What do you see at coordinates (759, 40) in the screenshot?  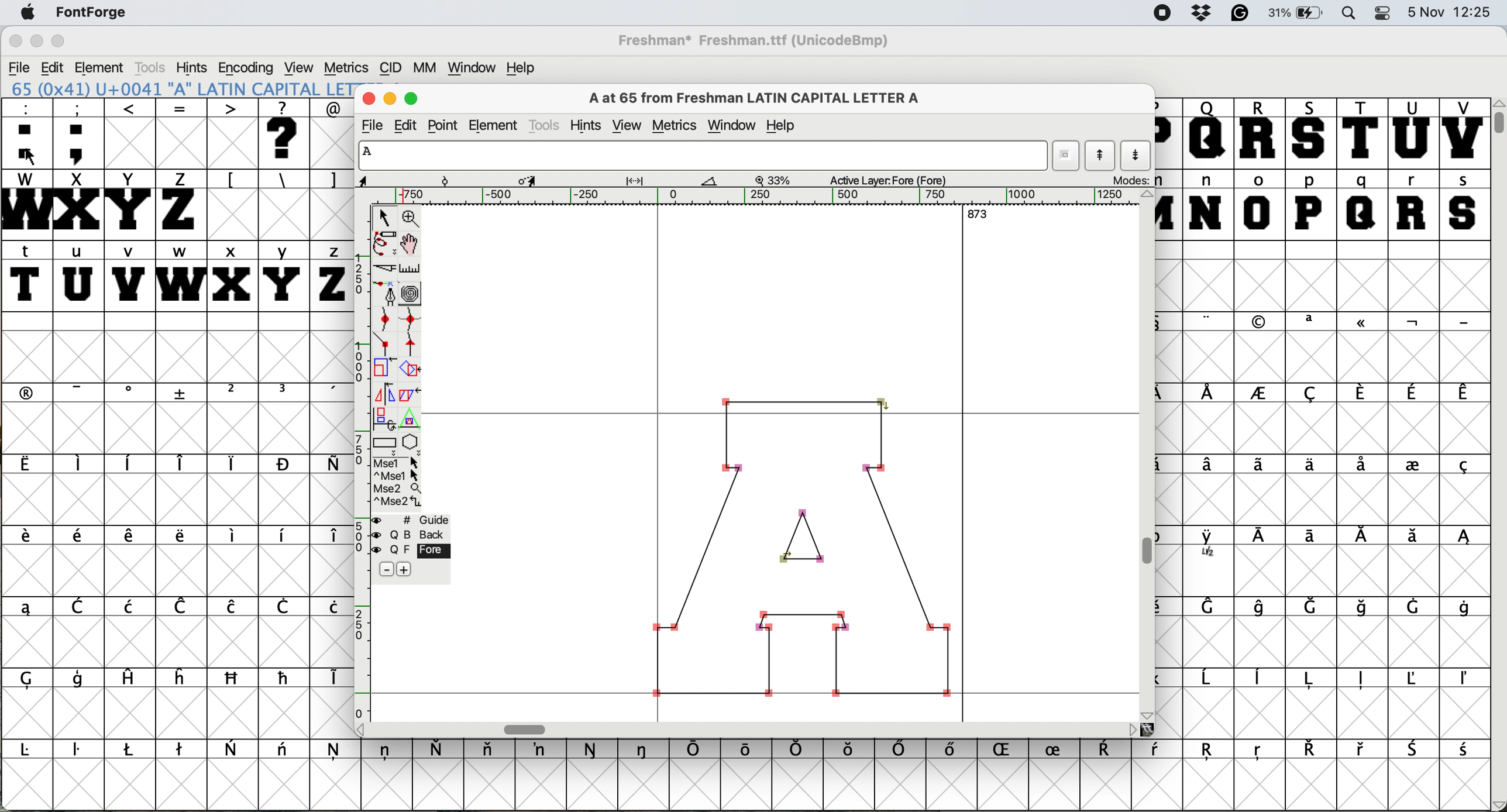 I see `Freshman* Freshman.ttf (UnicodeBmp)` at bounding box center [759, 40].